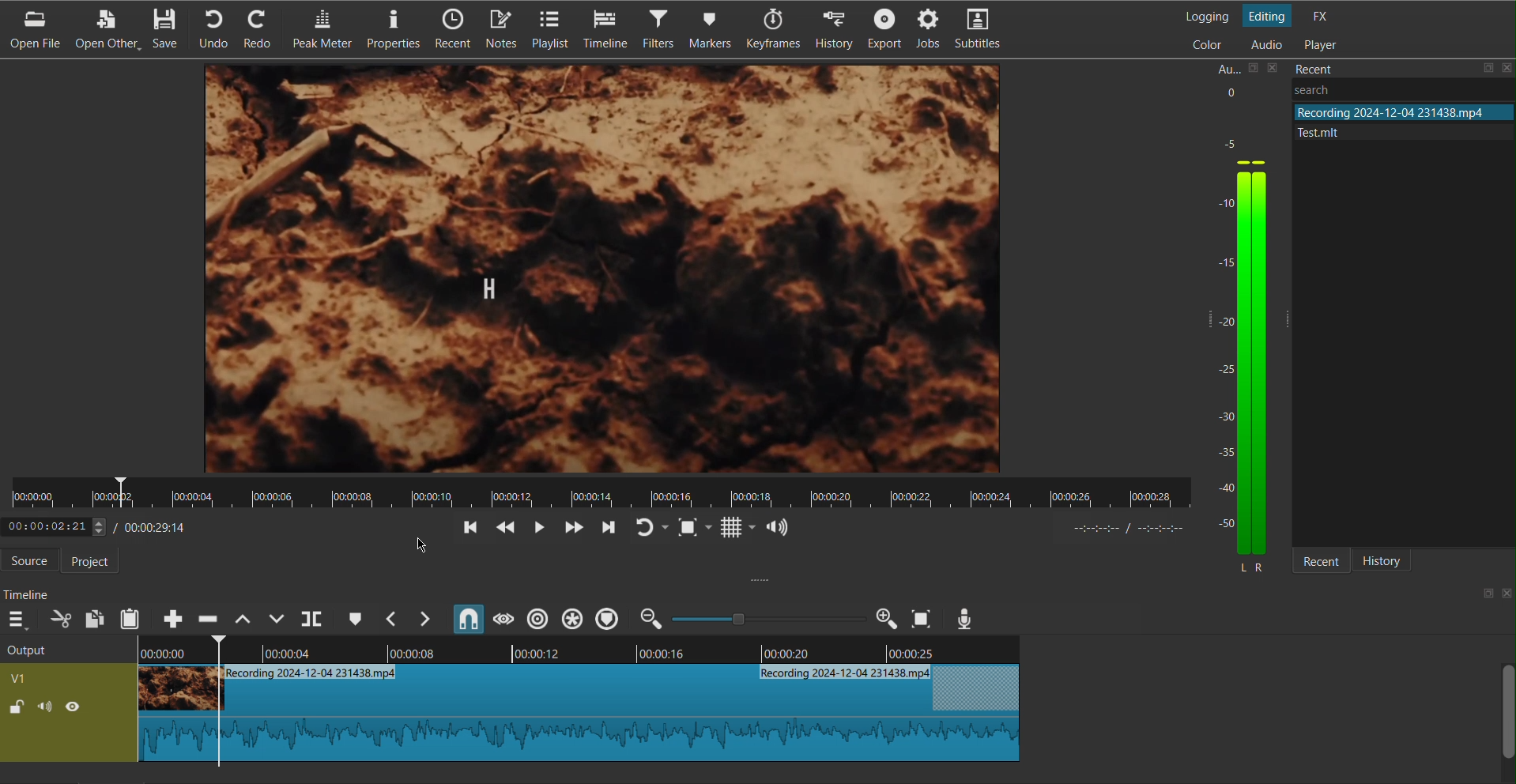 The height and width of the screenshot is (784, 1516). I want to click on Audio Levels, so click(1246, 329).